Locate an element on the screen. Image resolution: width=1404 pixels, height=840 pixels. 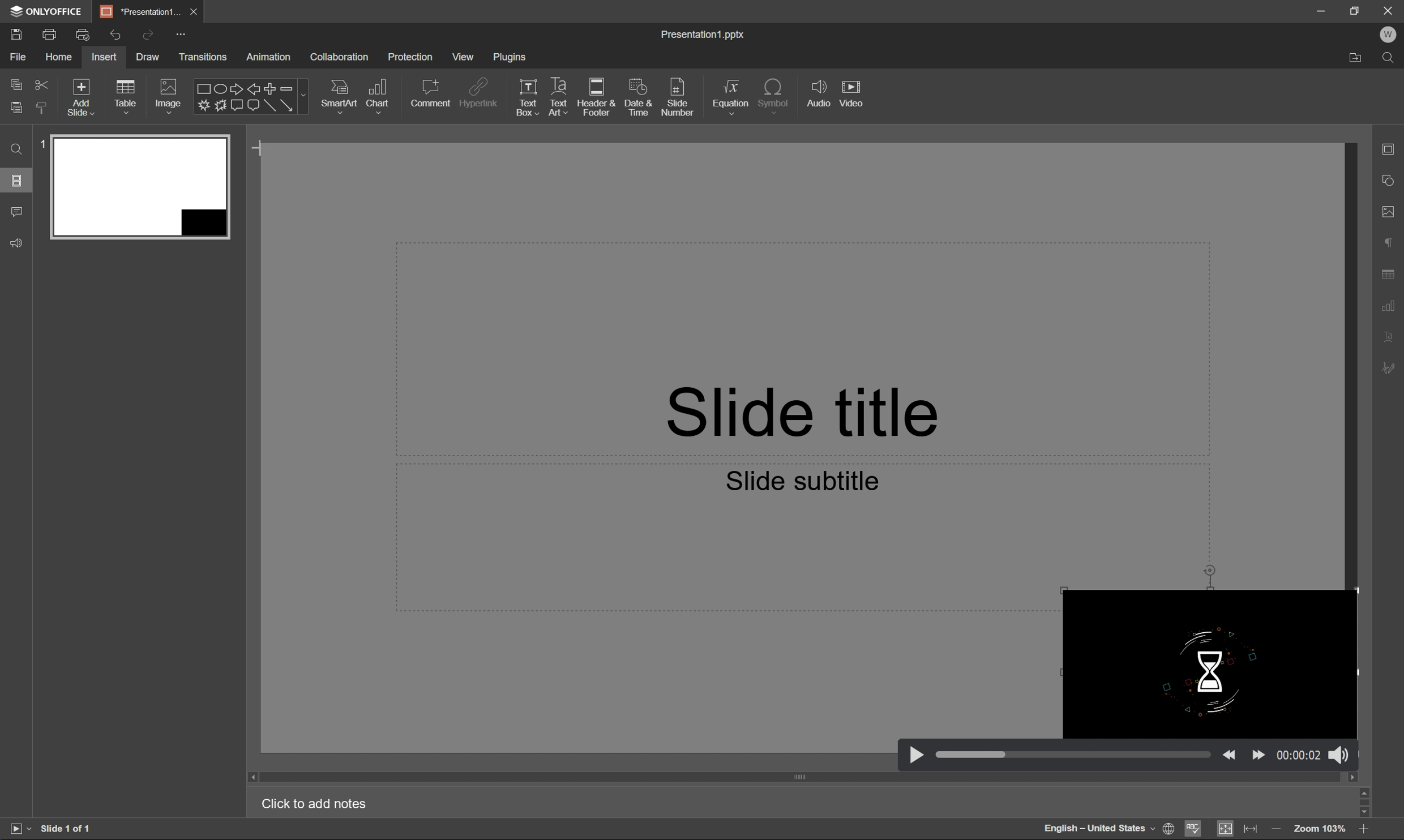
plugins is located at coordinates (514, 59).